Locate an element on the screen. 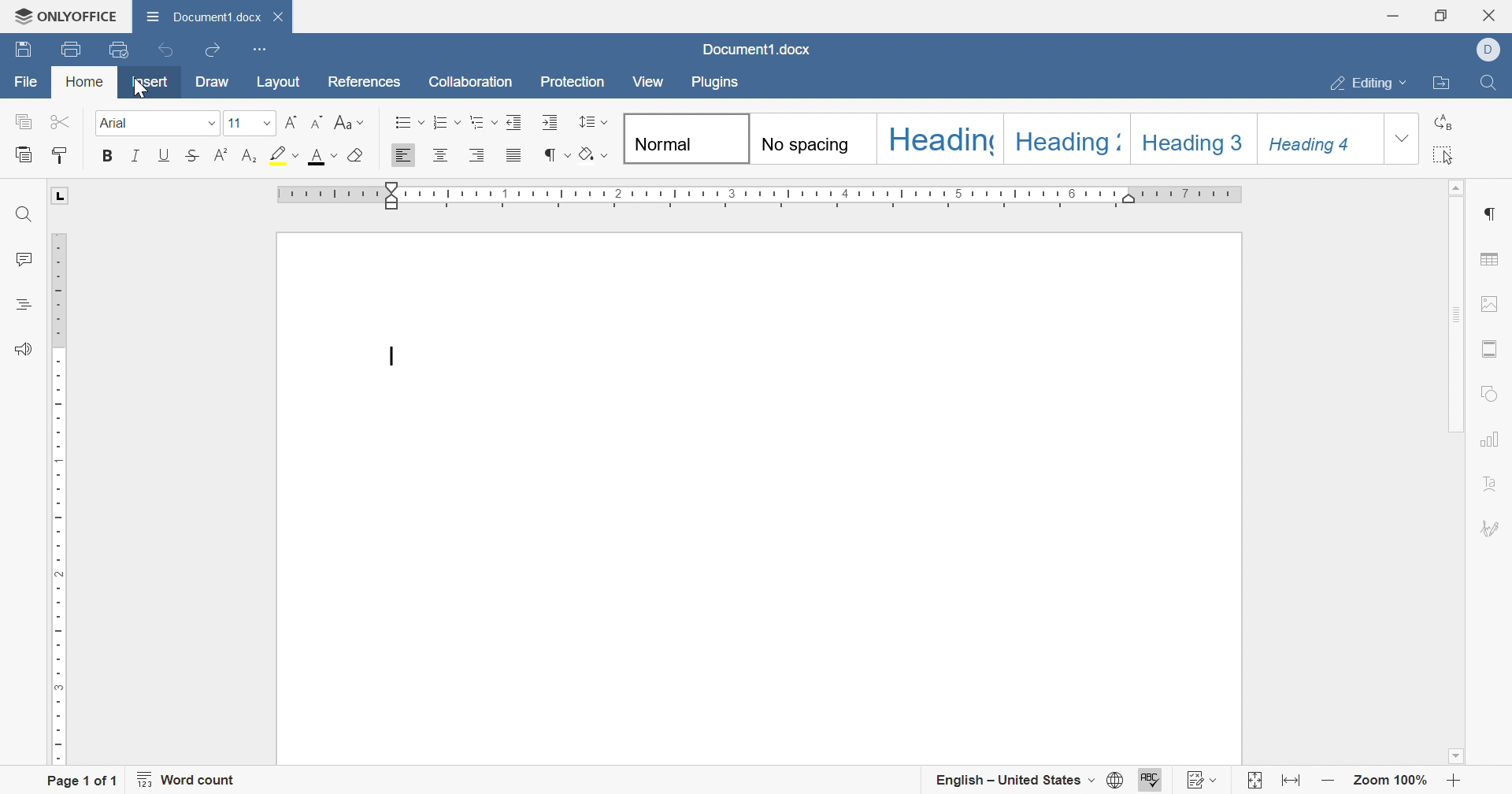 The image size is (1512, 794). Save is located at coordinates (23, 51).